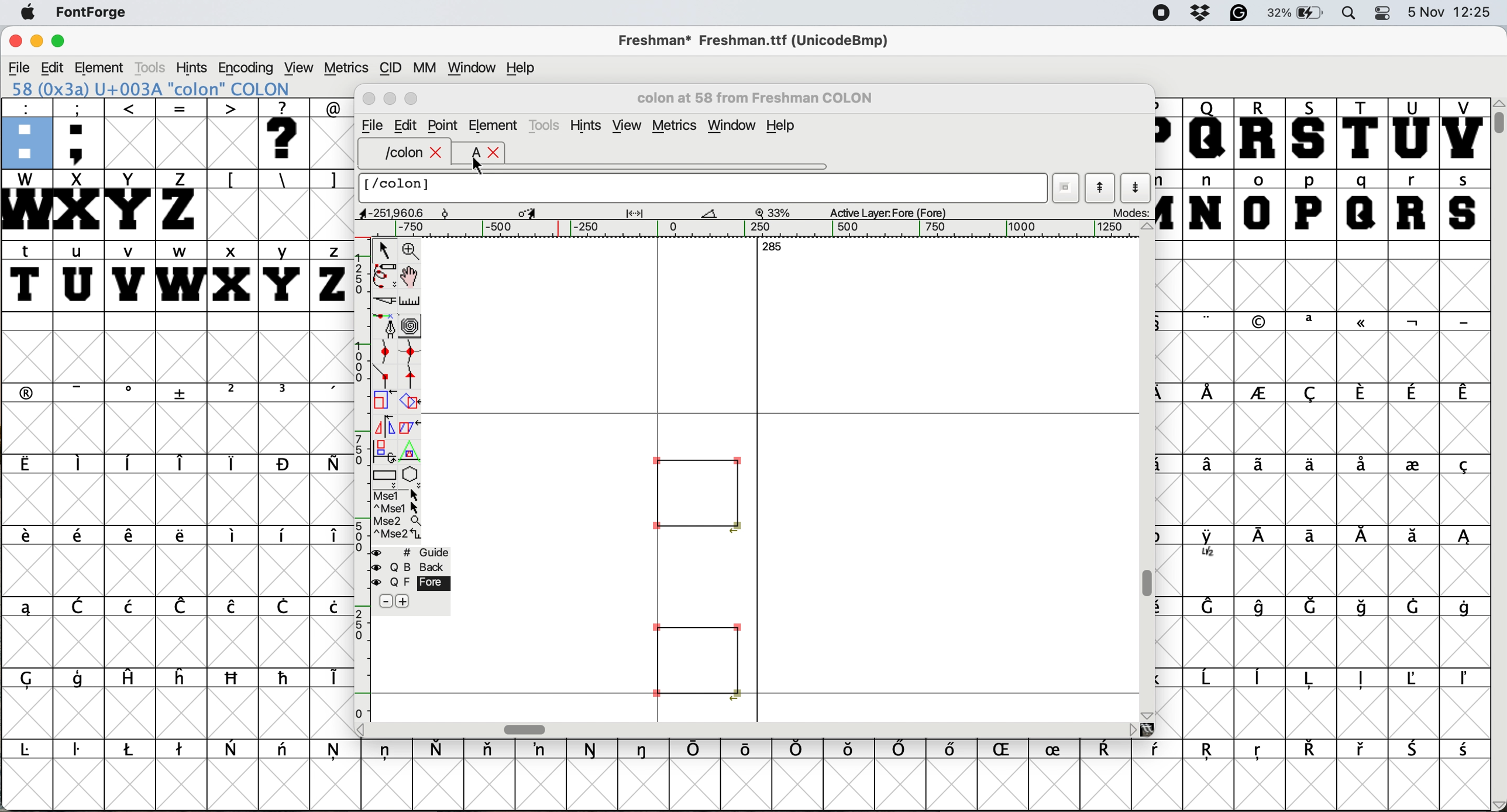 Image resolution: width=1507 pixels, height=812 pixels. I want to click on symbol, so click(80, 752).